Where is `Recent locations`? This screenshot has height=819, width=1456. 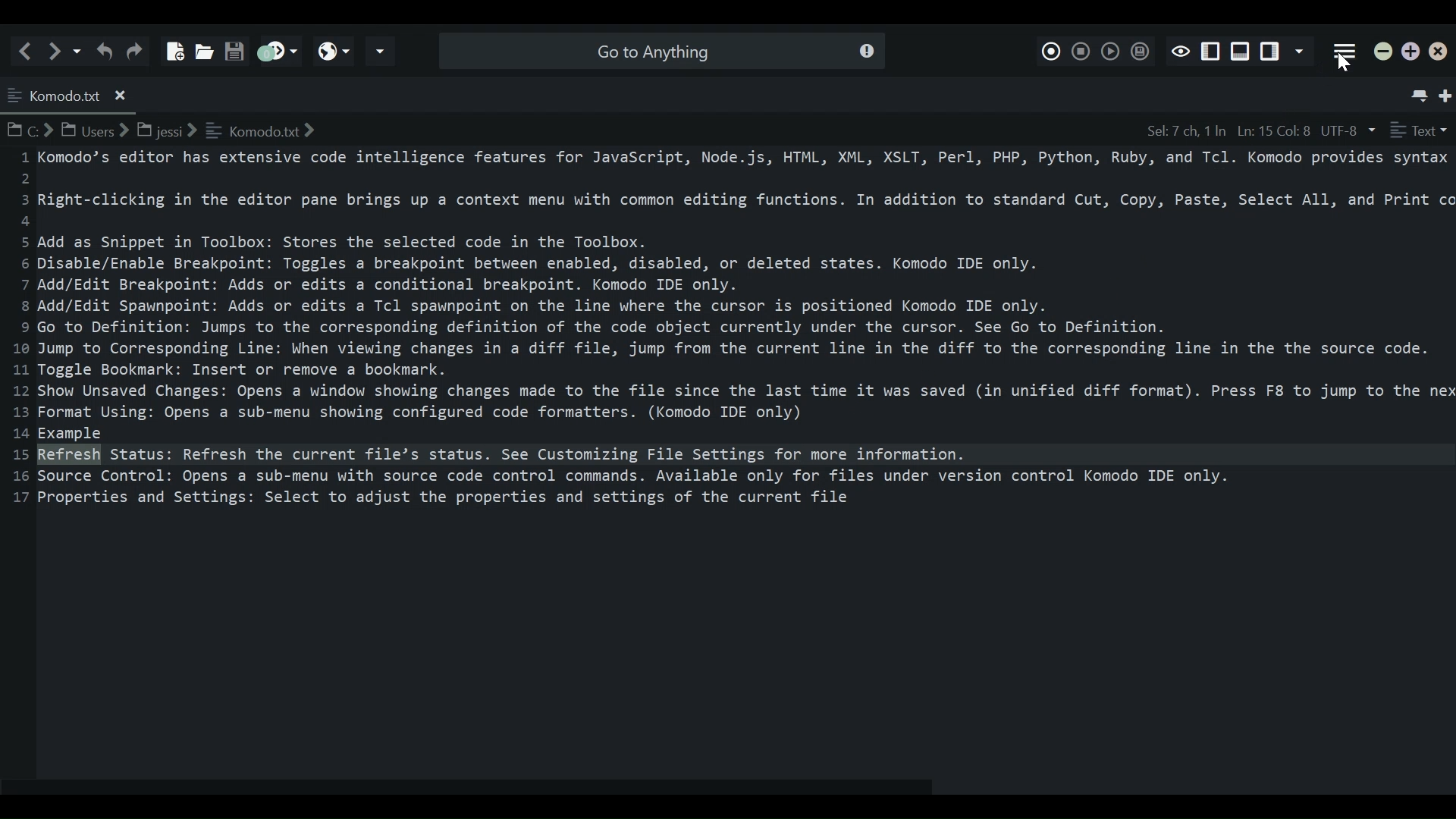
Recent locations is located at coordinates (78, 50).